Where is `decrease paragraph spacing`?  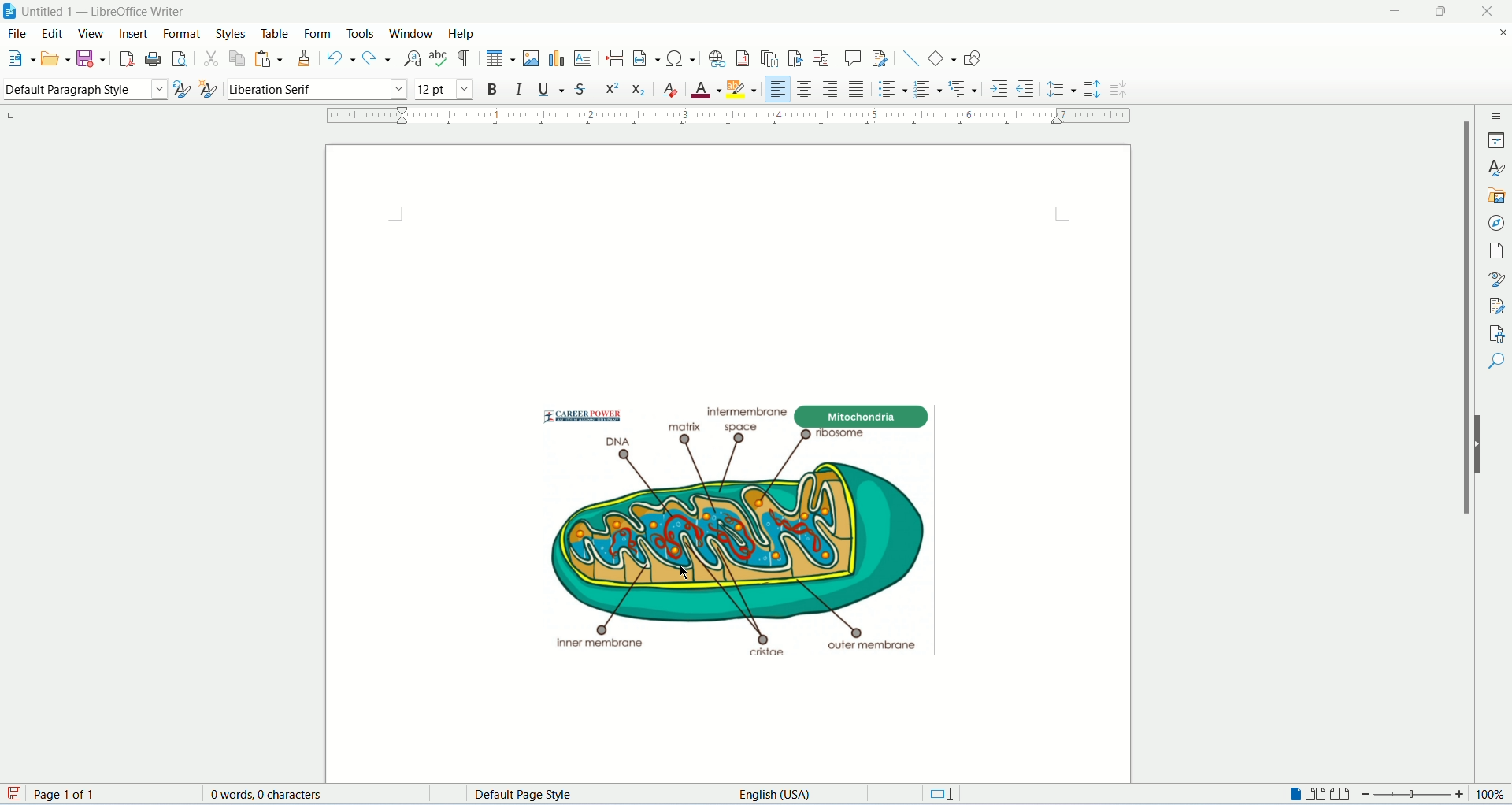
decrease paragraph spacing is located at coordinates (1120, 89).